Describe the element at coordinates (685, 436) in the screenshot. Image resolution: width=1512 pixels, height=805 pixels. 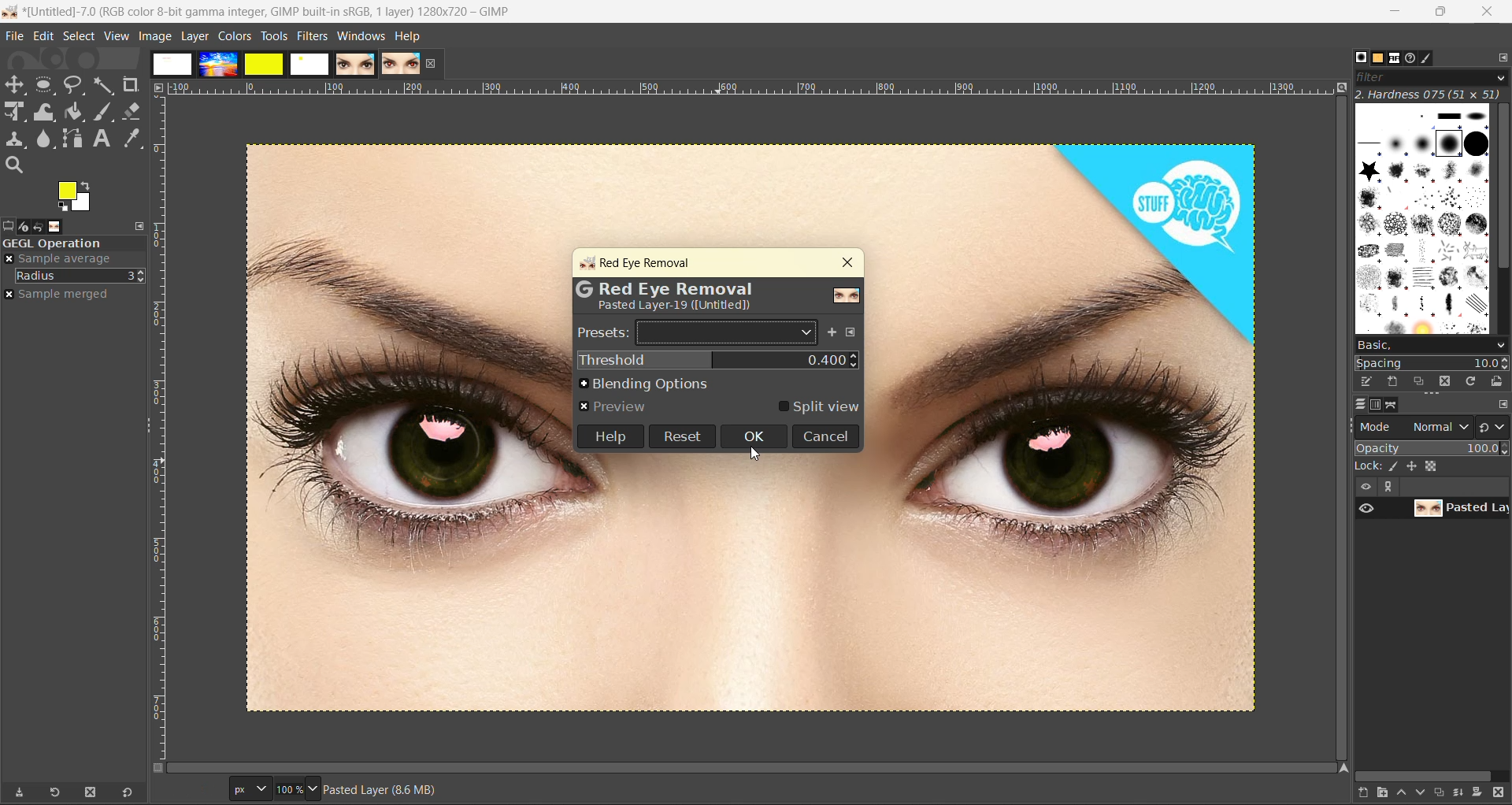
I see `reset` at that location.